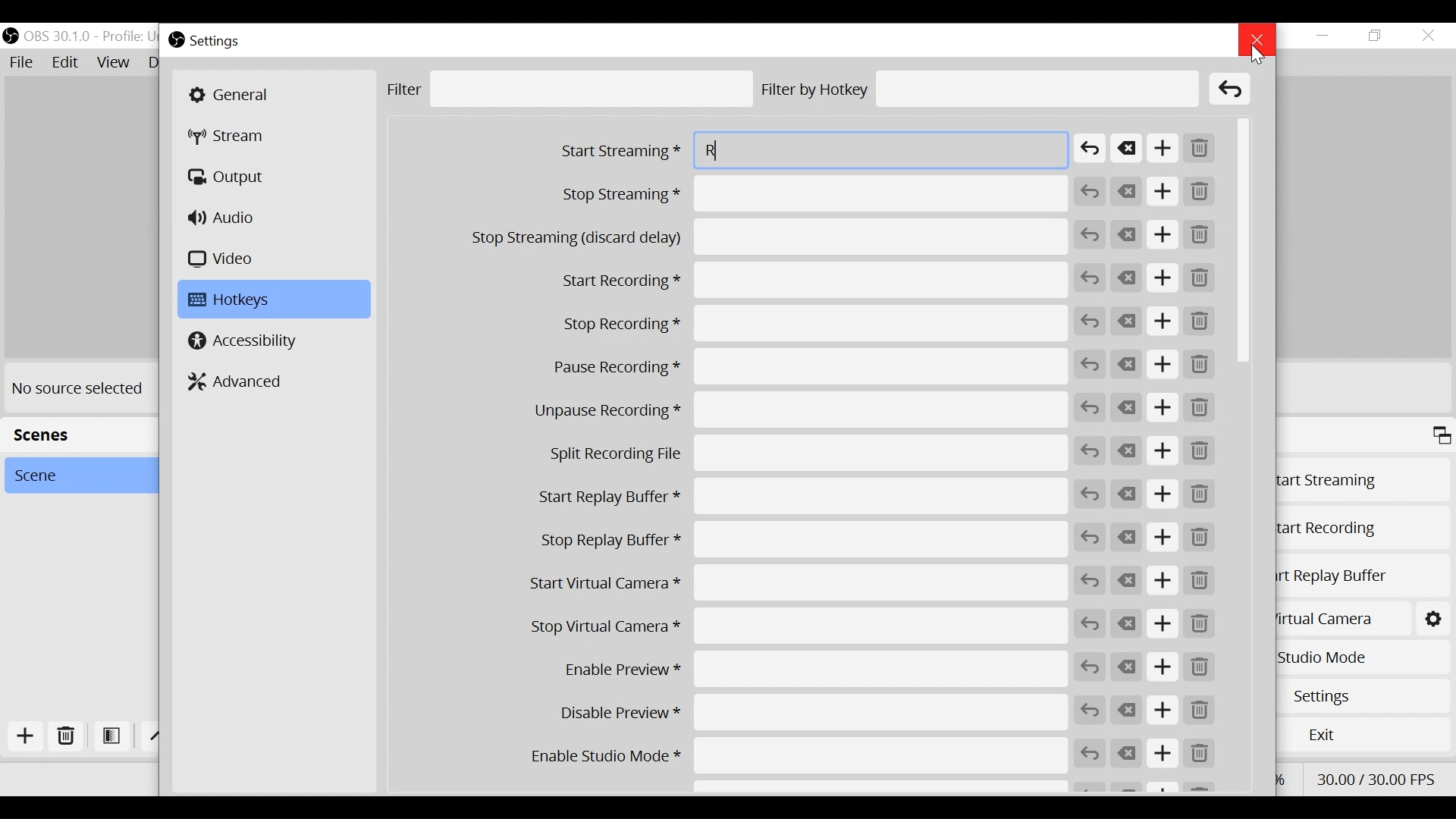 Image resolution: width=1456 pixels, height=819 pixels. I want to click on Clear, so click(1127, 235).